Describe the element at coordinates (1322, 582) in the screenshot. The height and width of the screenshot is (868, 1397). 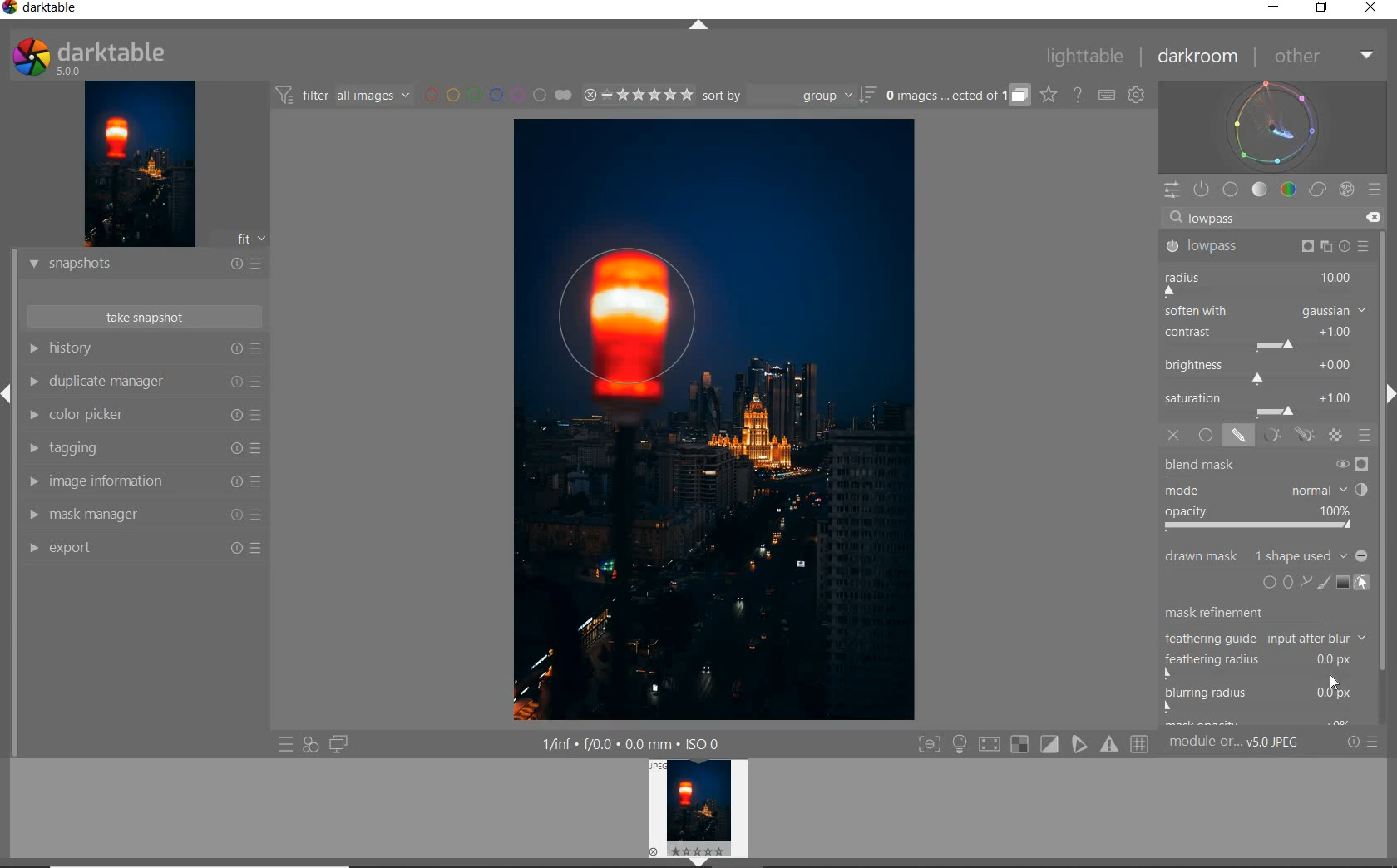
I see `ADD BRUSH` at that location.